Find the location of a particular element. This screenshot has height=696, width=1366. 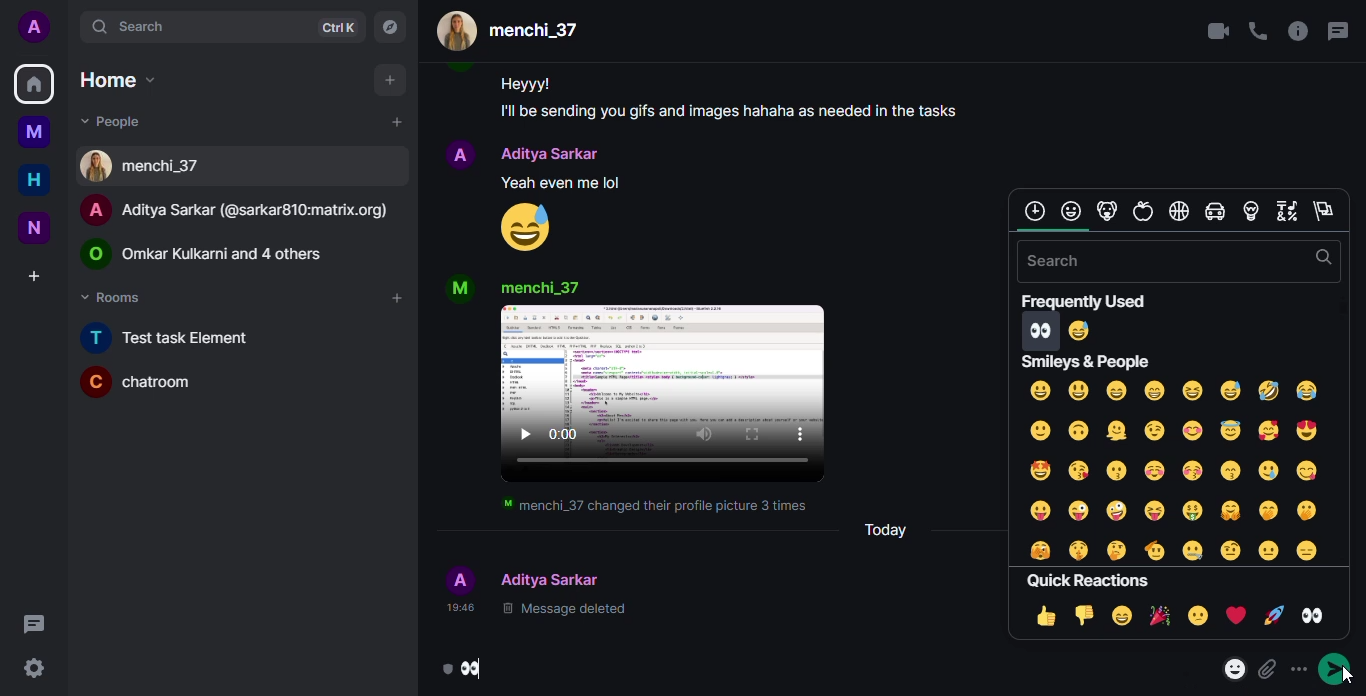

send is located at coordinates (1334, 670).